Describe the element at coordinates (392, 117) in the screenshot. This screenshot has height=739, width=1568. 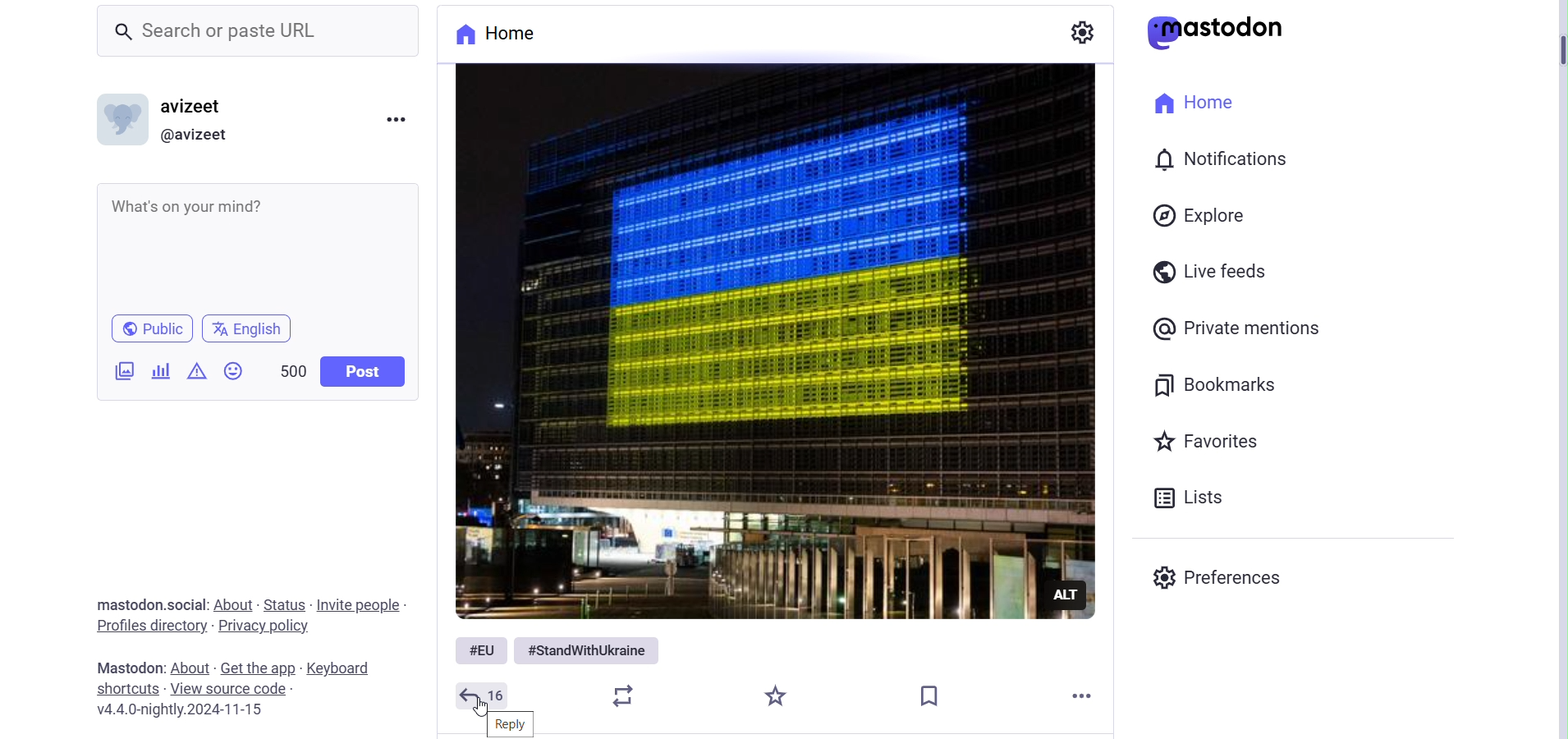
I see `Menu` at that location.